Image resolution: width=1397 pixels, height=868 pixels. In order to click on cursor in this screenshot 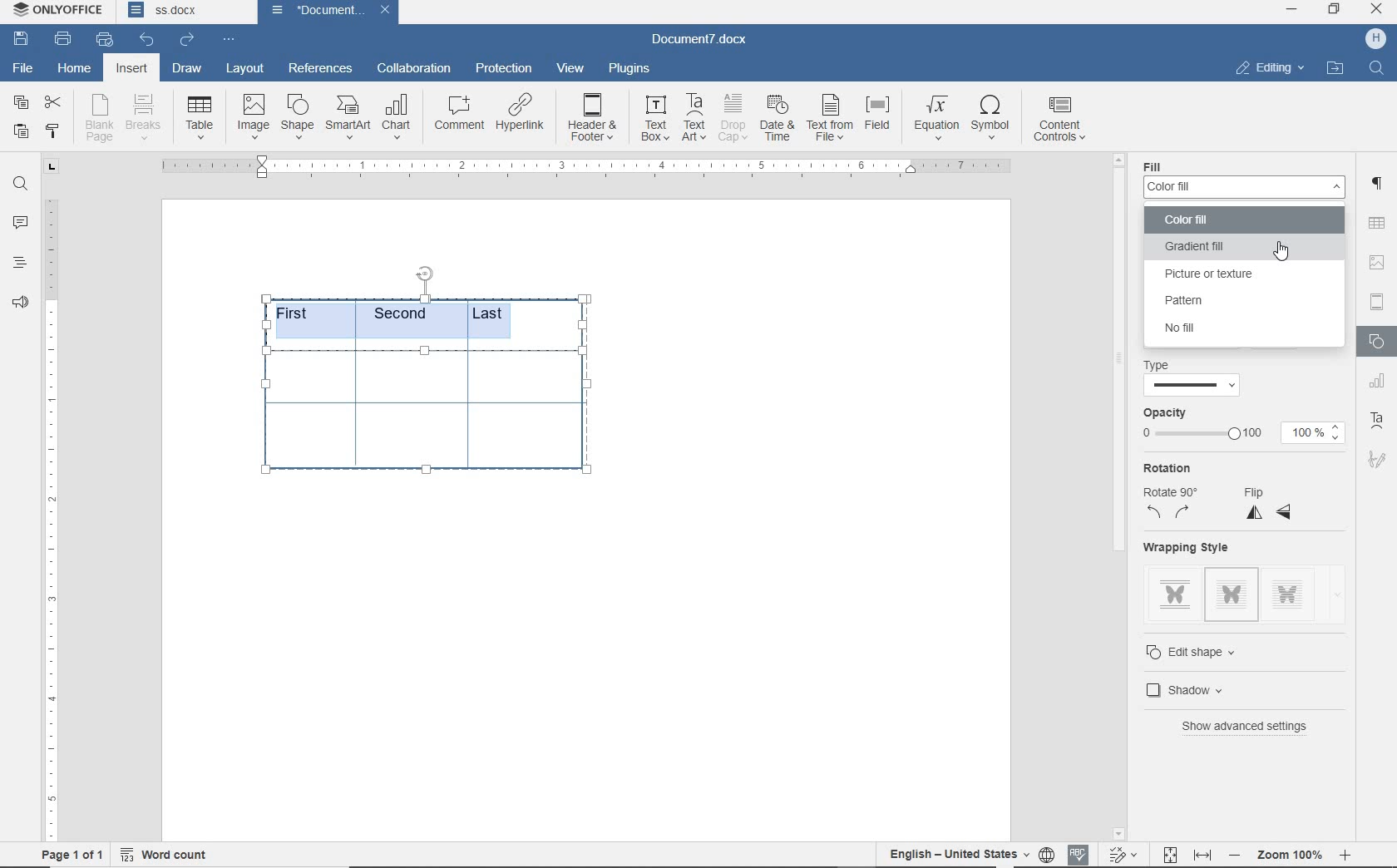, I will do `click(1287, 257)`.